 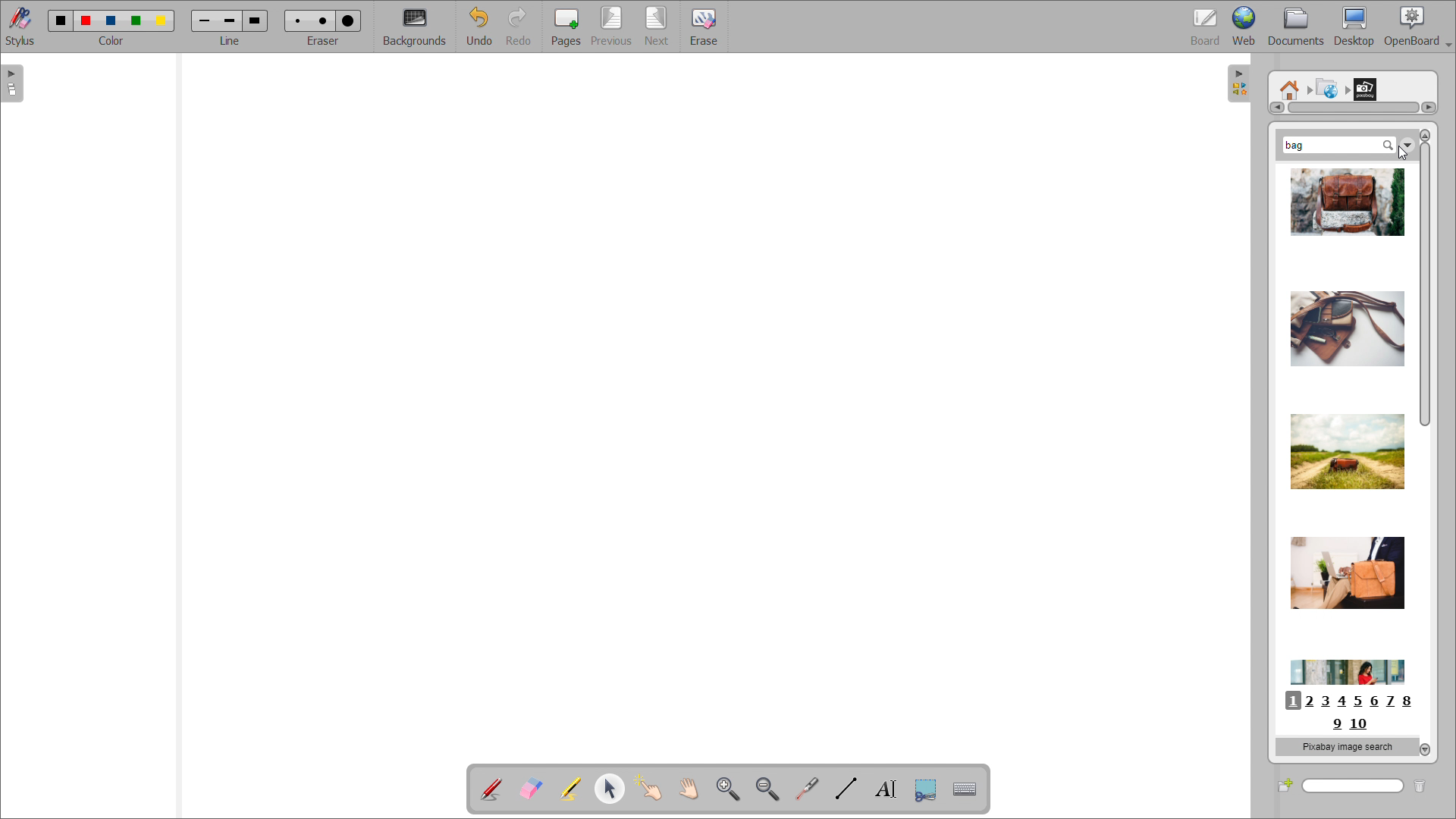 What do you see at coordinates (1424, 135) in the screenshot?
I see `scroll up` at bounding box center [1424, 135].